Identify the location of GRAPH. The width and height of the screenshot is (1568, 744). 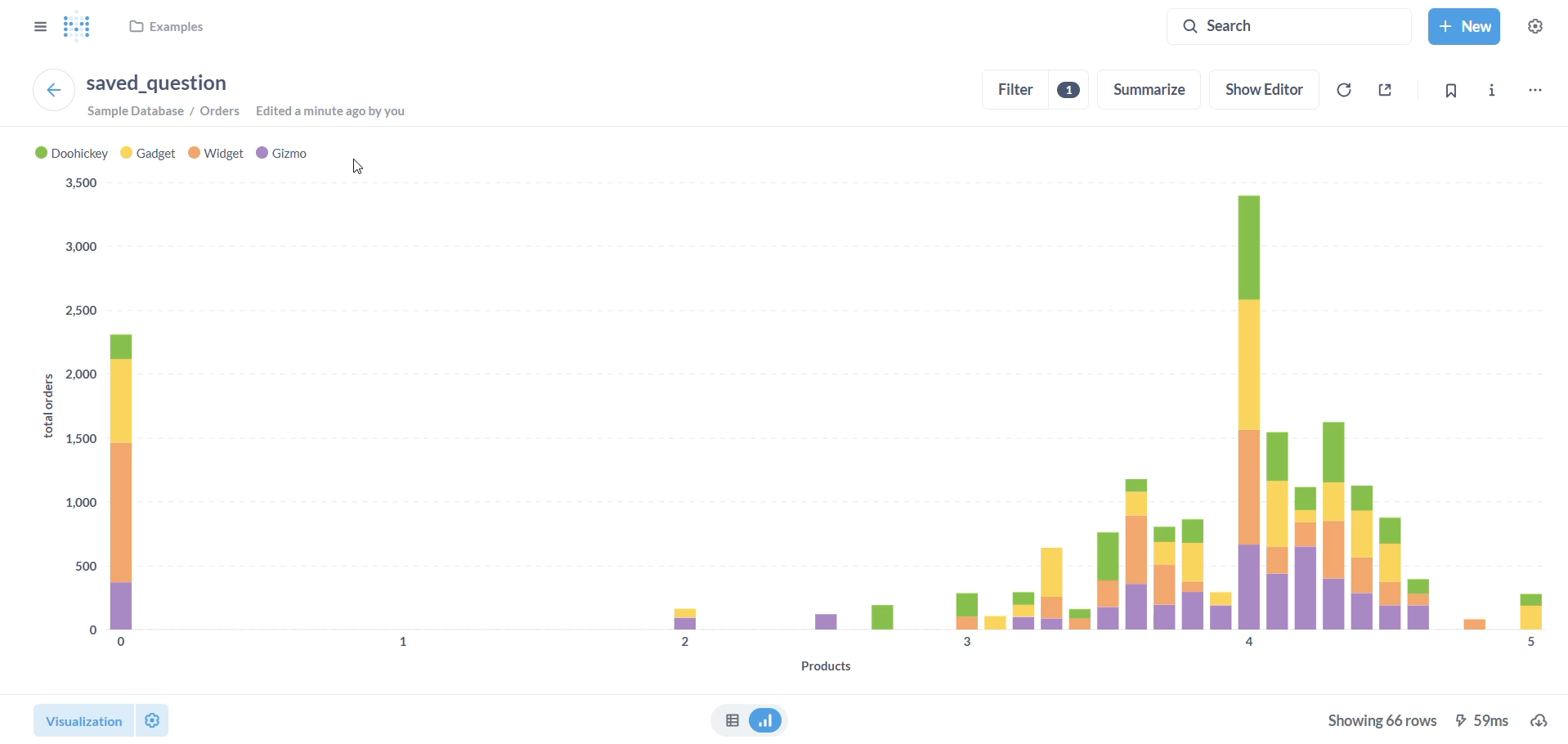
(786, 407).